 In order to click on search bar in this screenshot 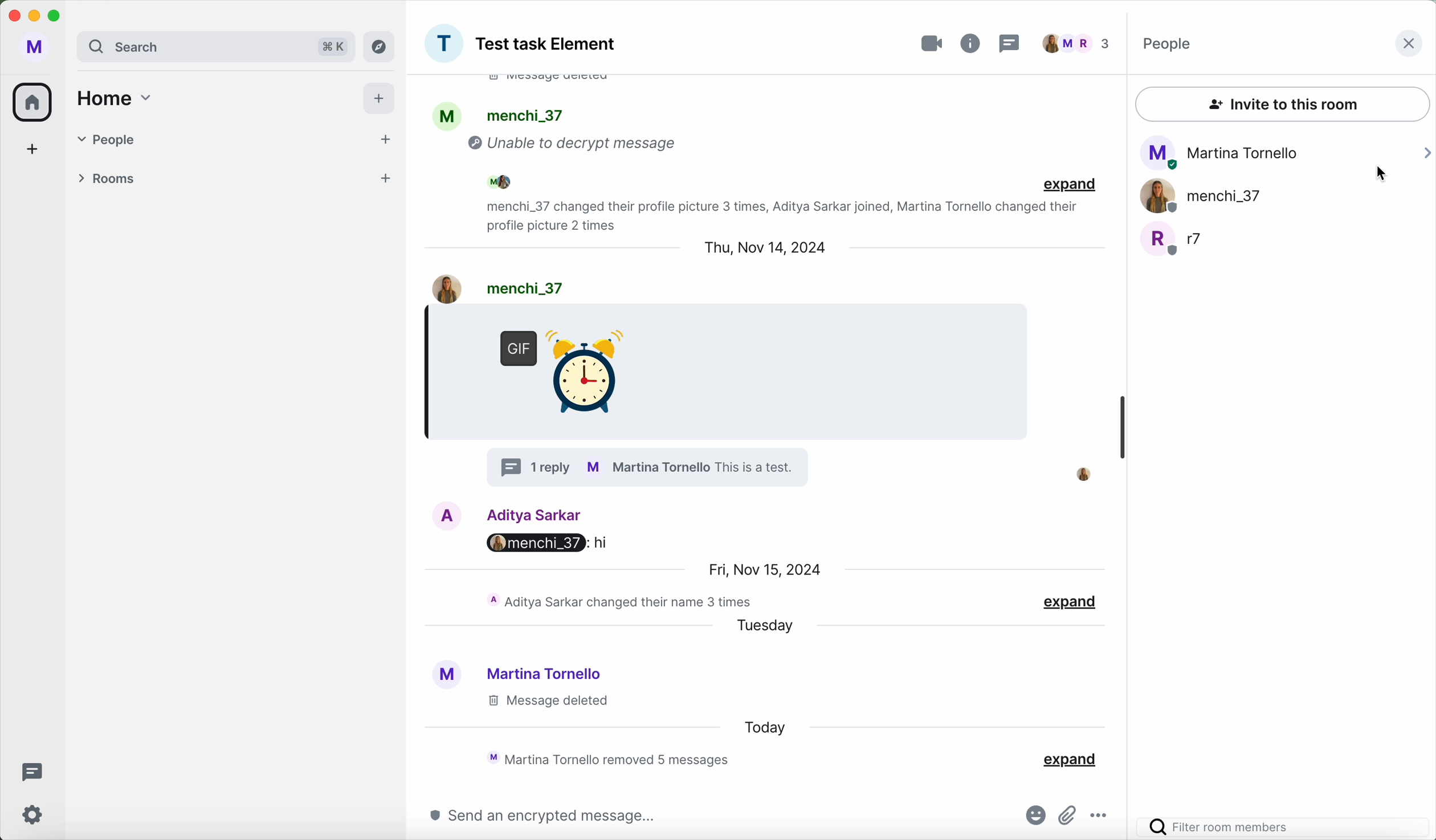, I will do `click(181, 46)`.